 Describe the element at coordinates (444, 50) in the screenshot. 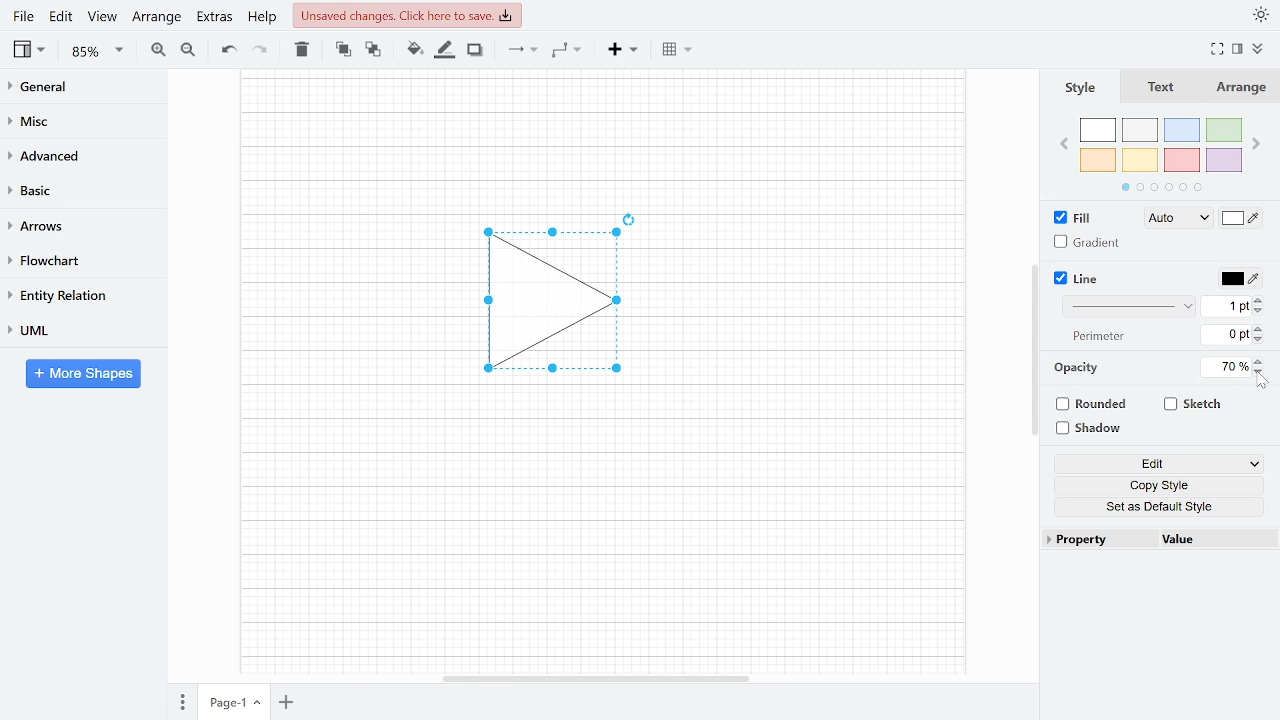

I see `Fill line` at that location.